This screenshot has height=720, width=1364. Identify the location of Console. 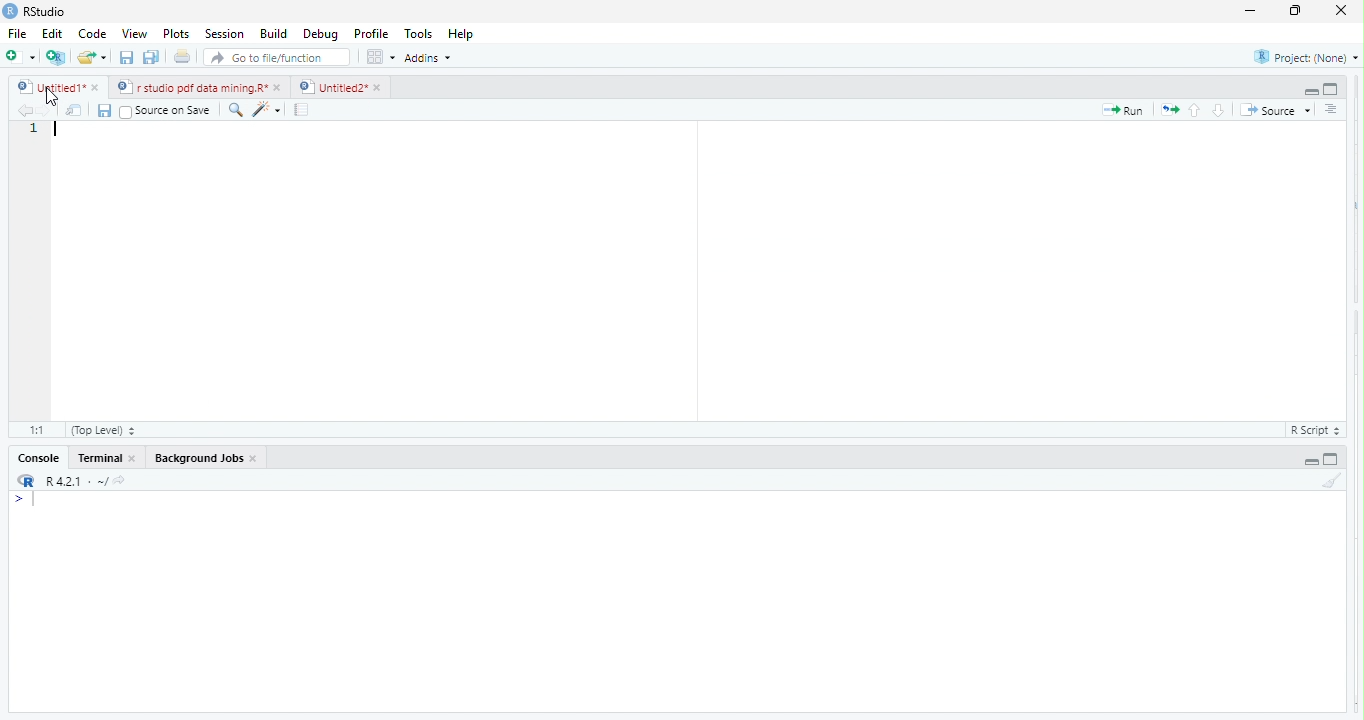
(38, 459).